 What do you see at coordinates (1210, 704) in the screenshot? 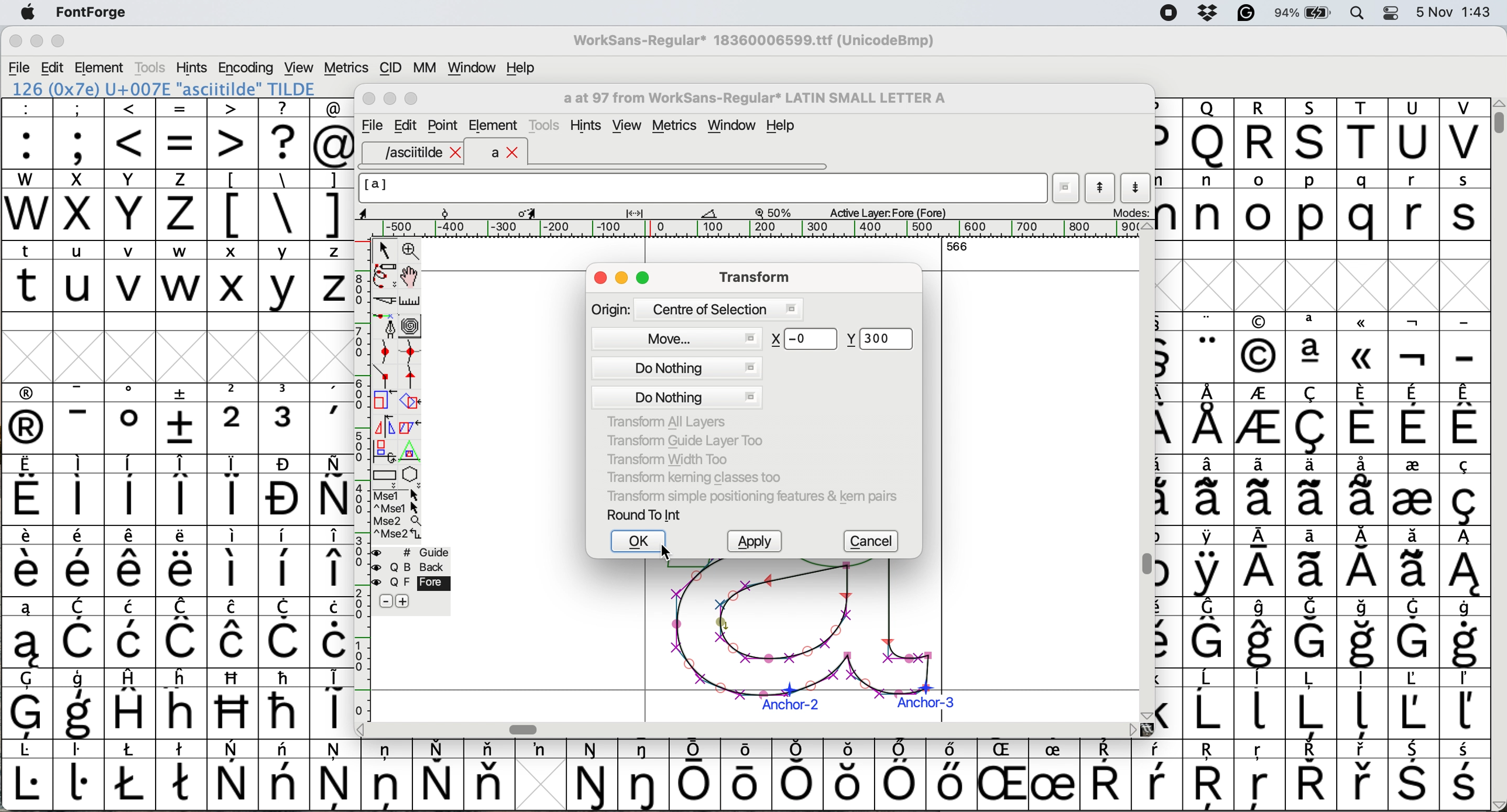
I see `symbol` at bounding box center [1210, 704].